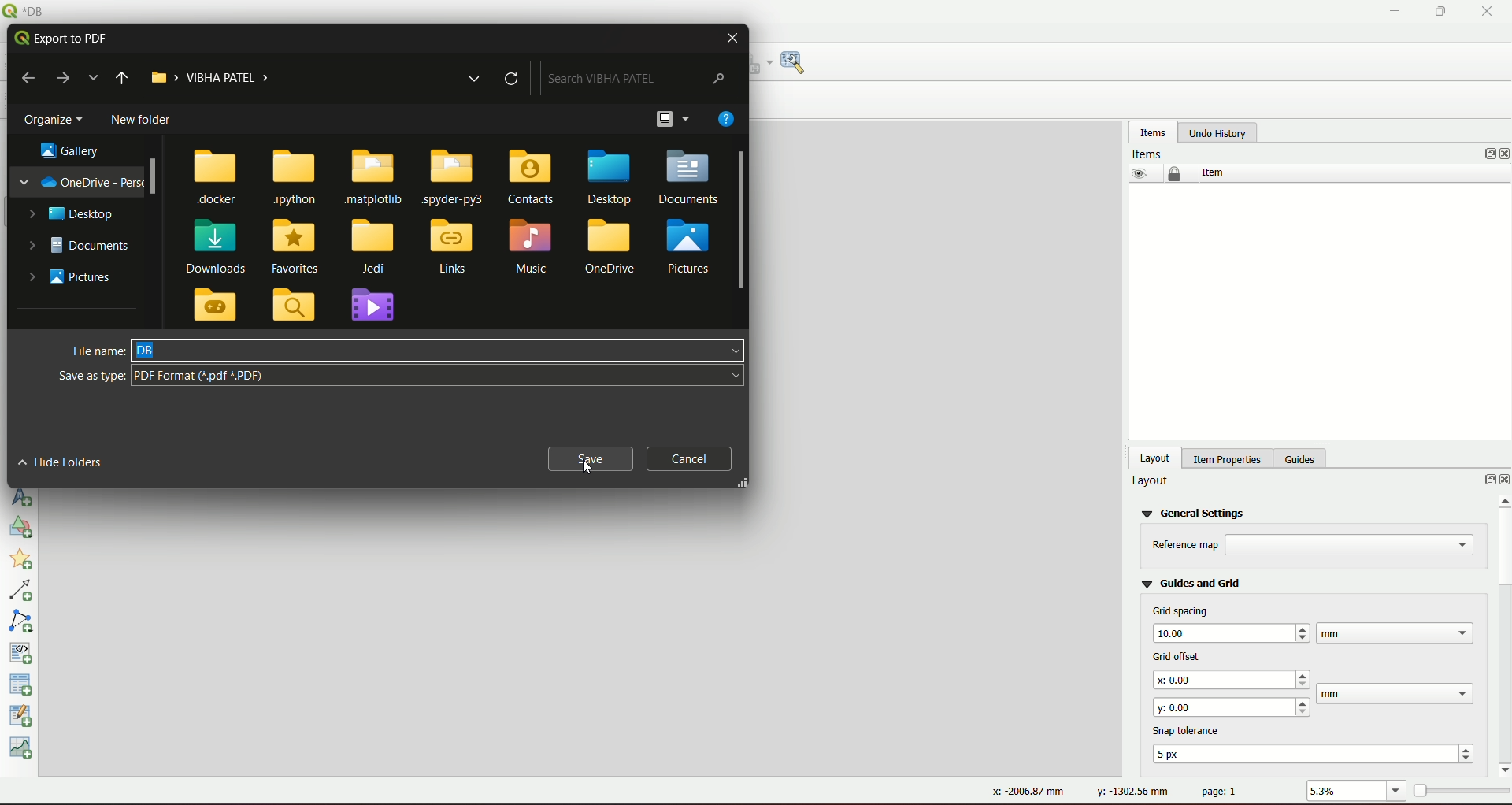 The image size is (1512, 805). What do you see at coordinates (1191, 582) in the screenshot?
I see `guides and grid` at bounding box center [1191, 582].